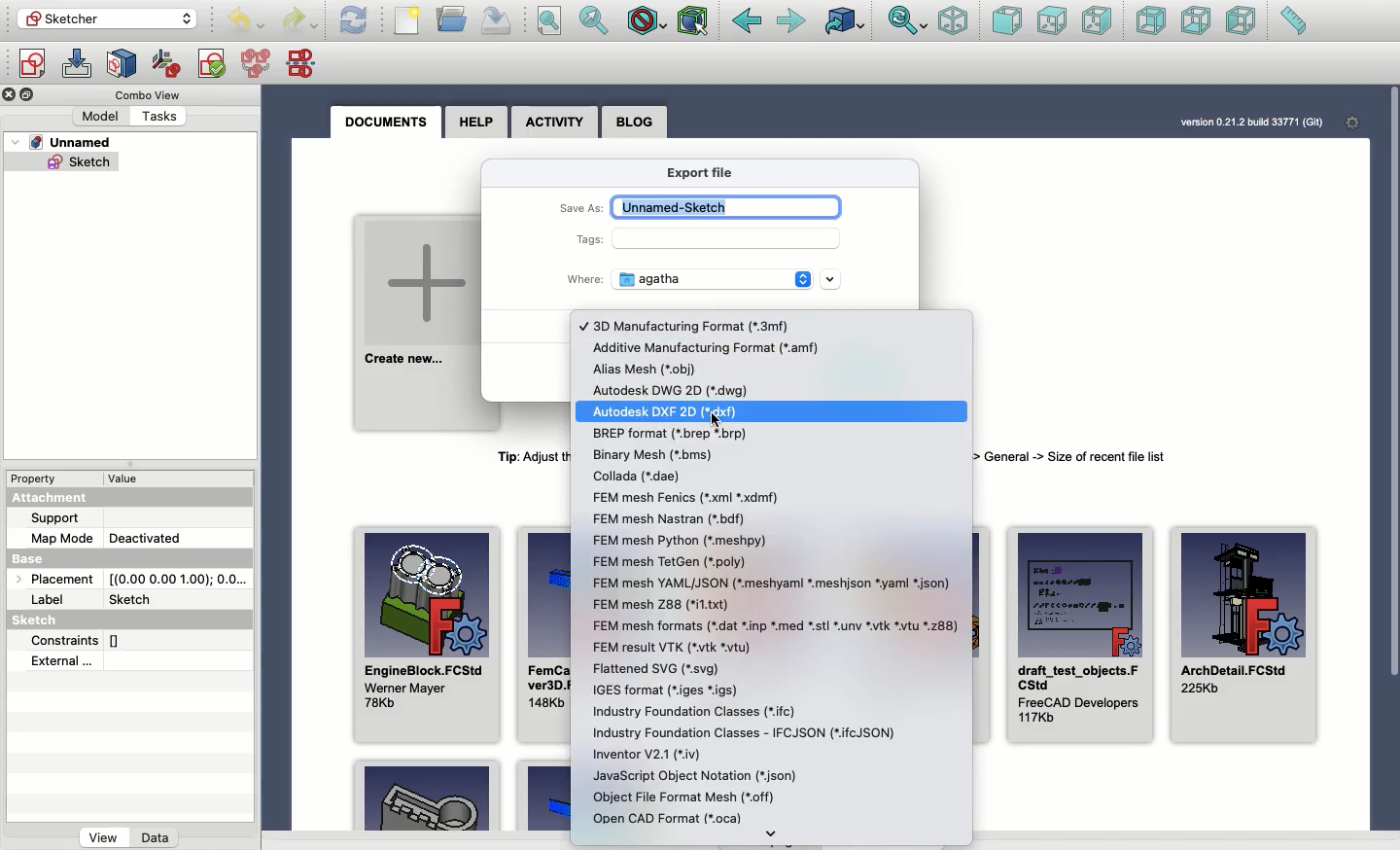 This screenshot has width=1400, height=850. Describe the element at coordinates (778, 626) in the screenshot. I see `FEM mesh formats` at that location.